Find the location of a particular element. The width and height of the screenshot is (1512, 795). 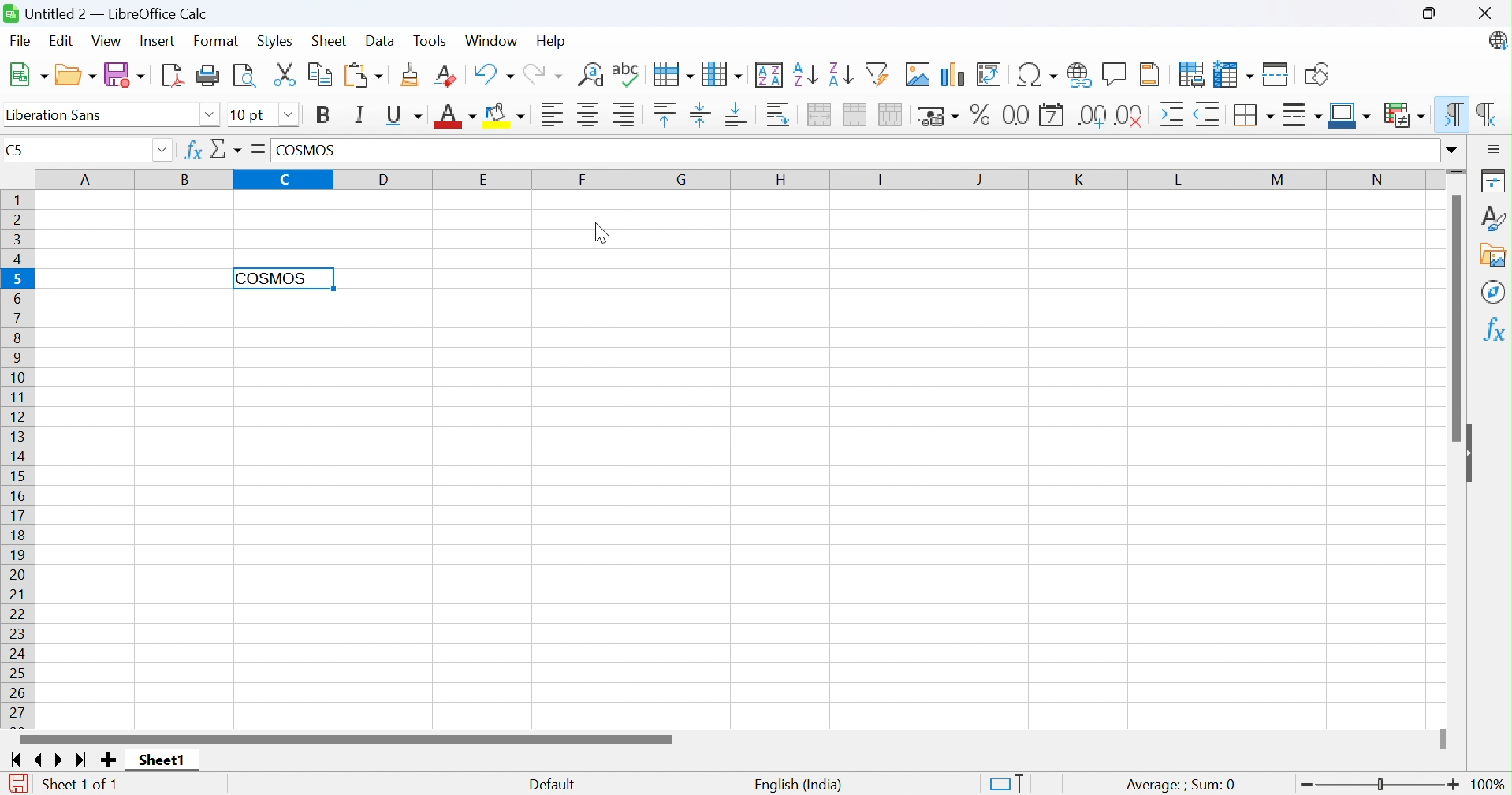

Row is located at coordinates (672, 74).